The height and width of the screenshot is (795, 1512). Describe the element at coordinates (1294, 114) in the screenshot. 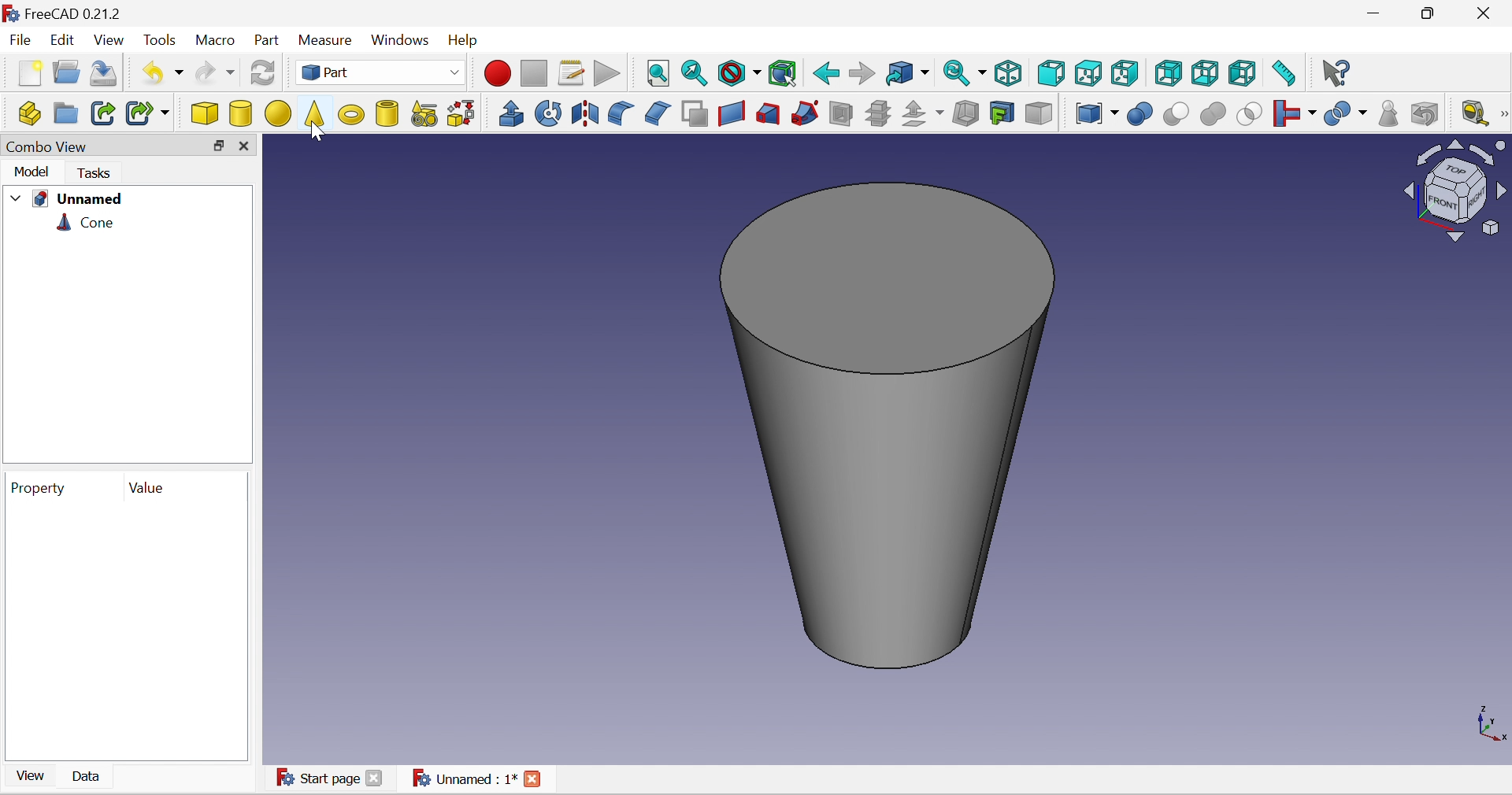

I see `Join objects` at that location.